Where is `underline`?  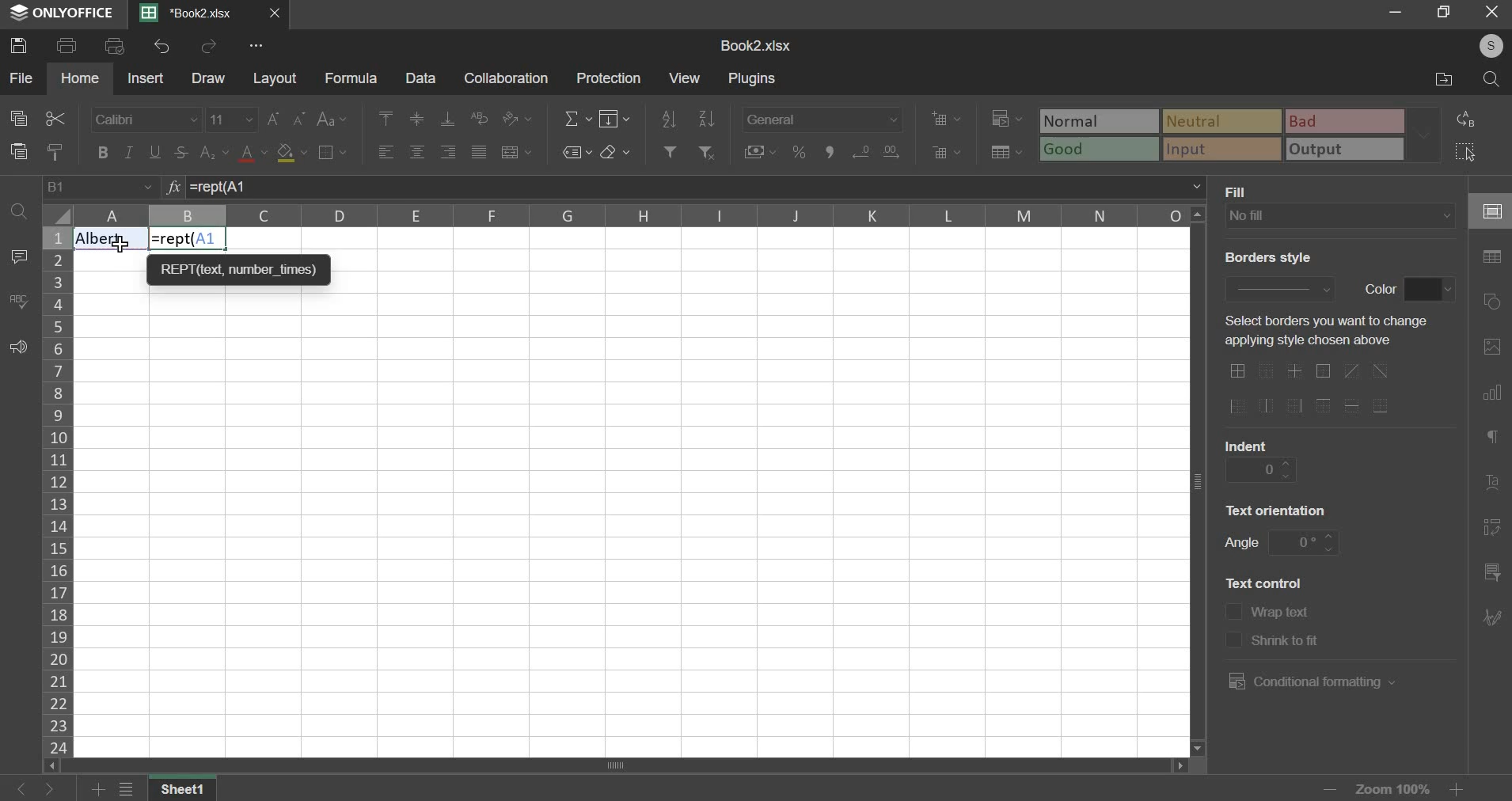
underline is located at coordinates (155, 150).